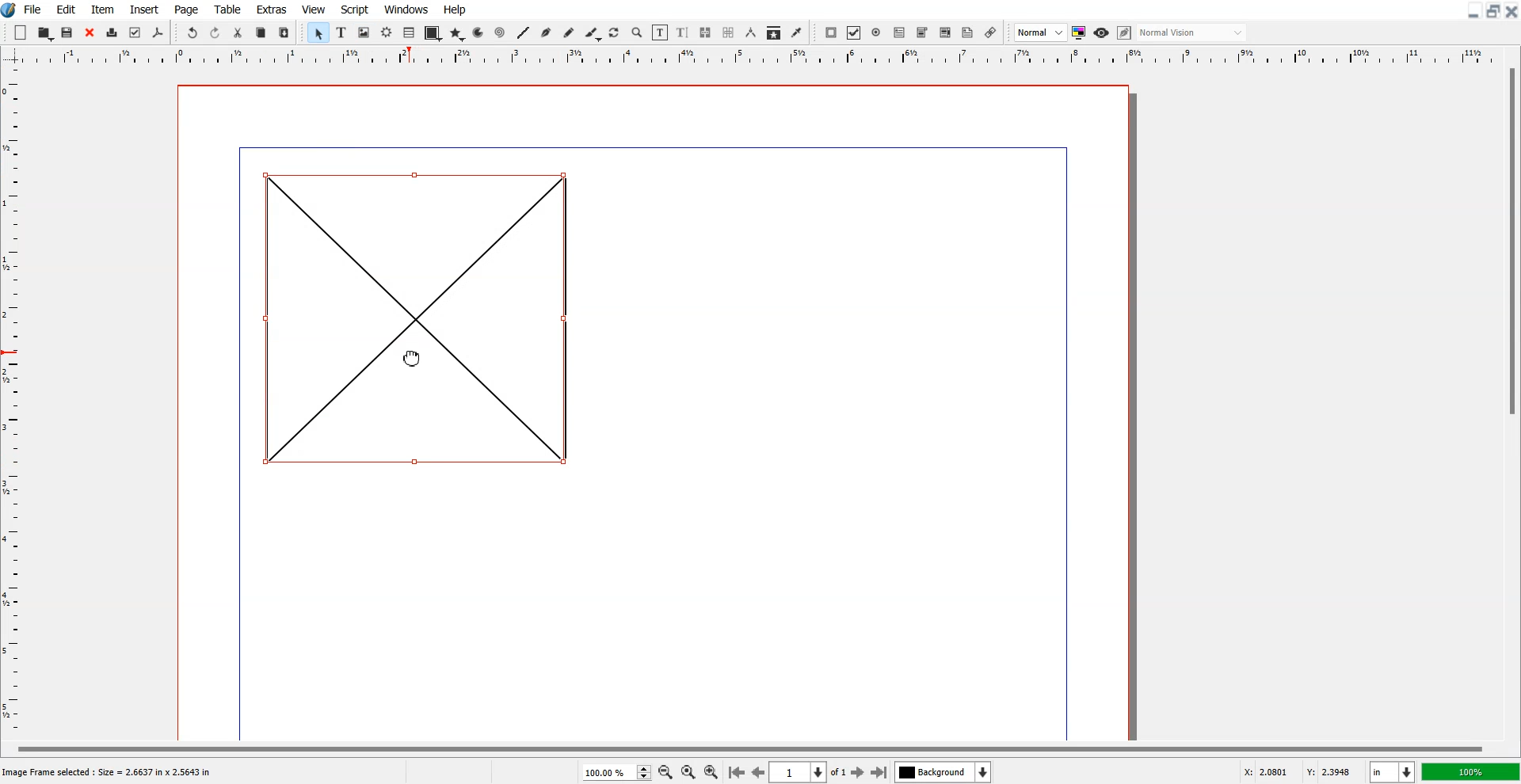 The image size is (1521, 784). What do you see at coordinates (946, 32) in the screenshot?
I see `PDF List Box` at bounding box center [946, 32].